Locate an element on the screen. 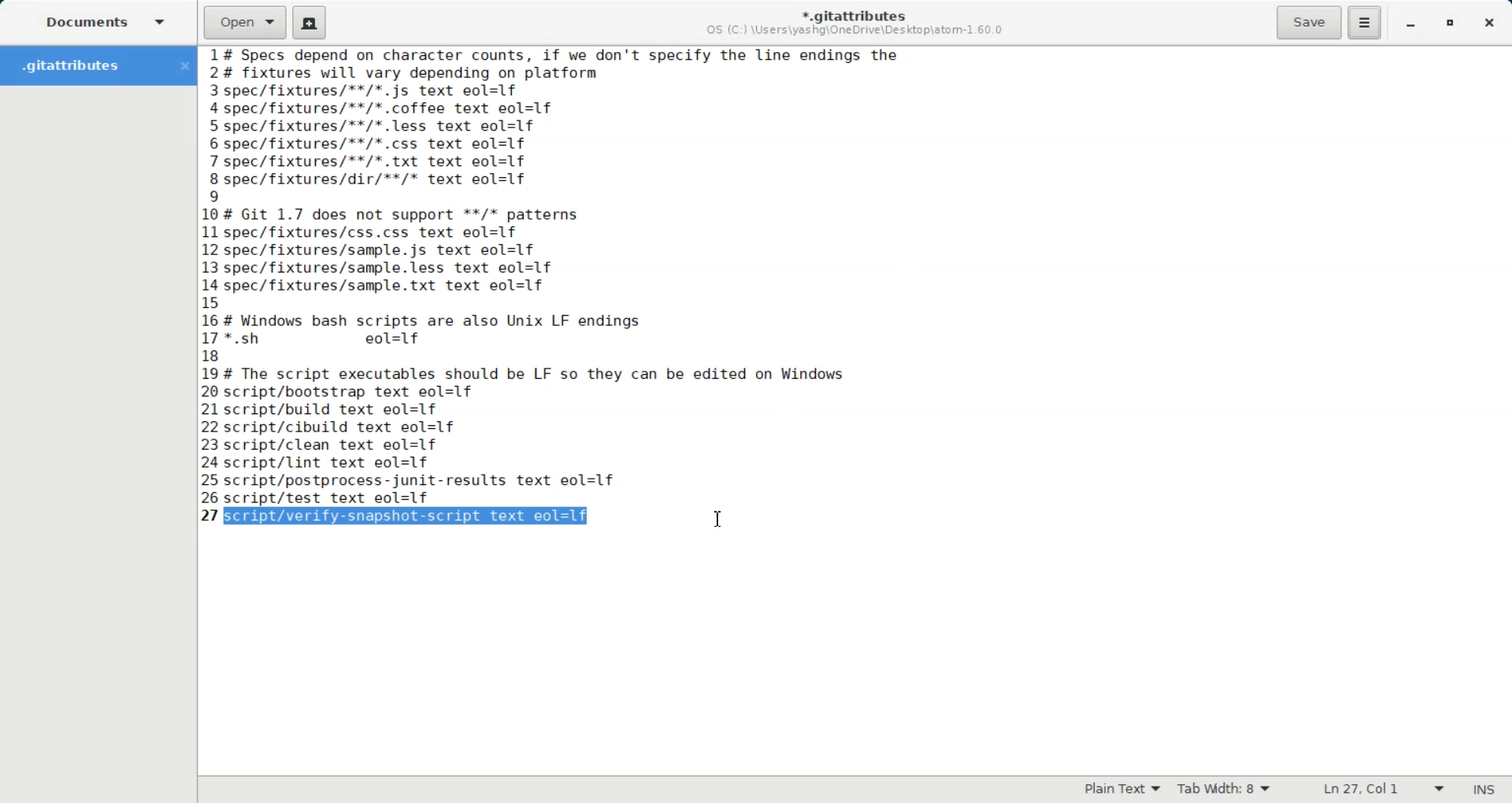 This screenshot has height=803, width=1512. Tab Width: 9 is located at coordinates (1225, 790).